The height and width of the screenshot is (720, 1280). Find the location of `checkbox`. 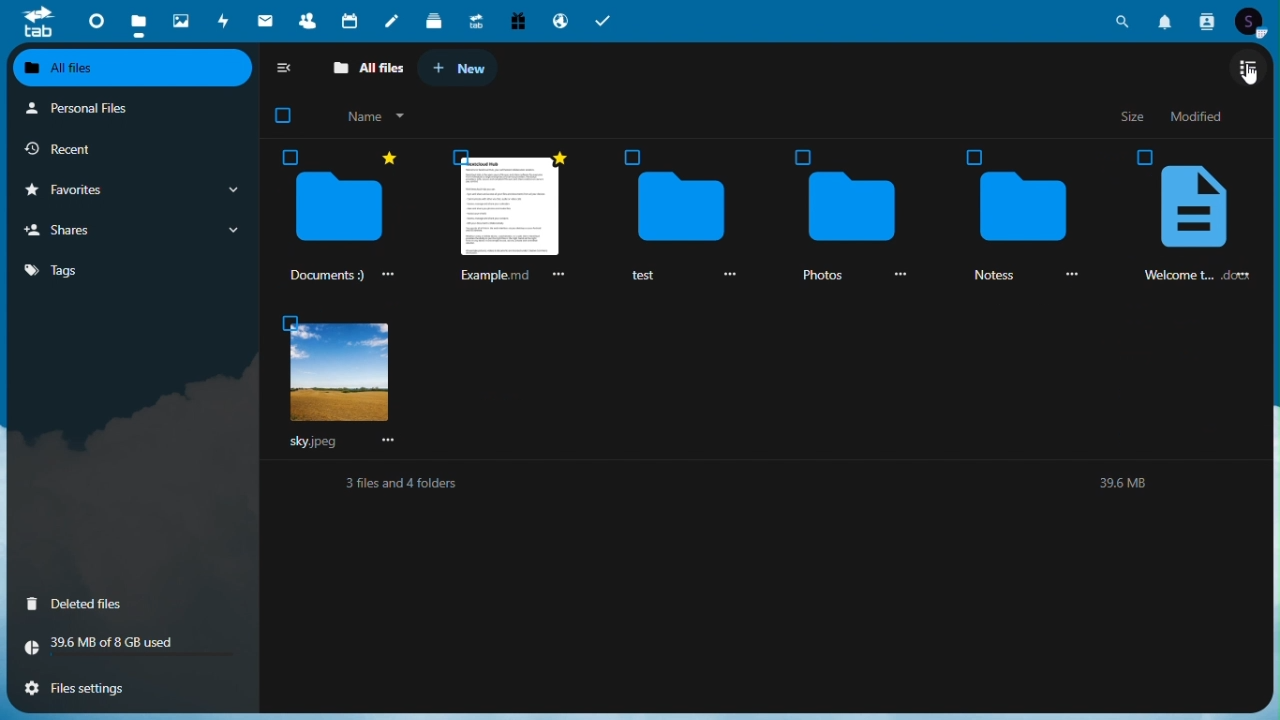

checkbox is located at coordinates (634, 156).